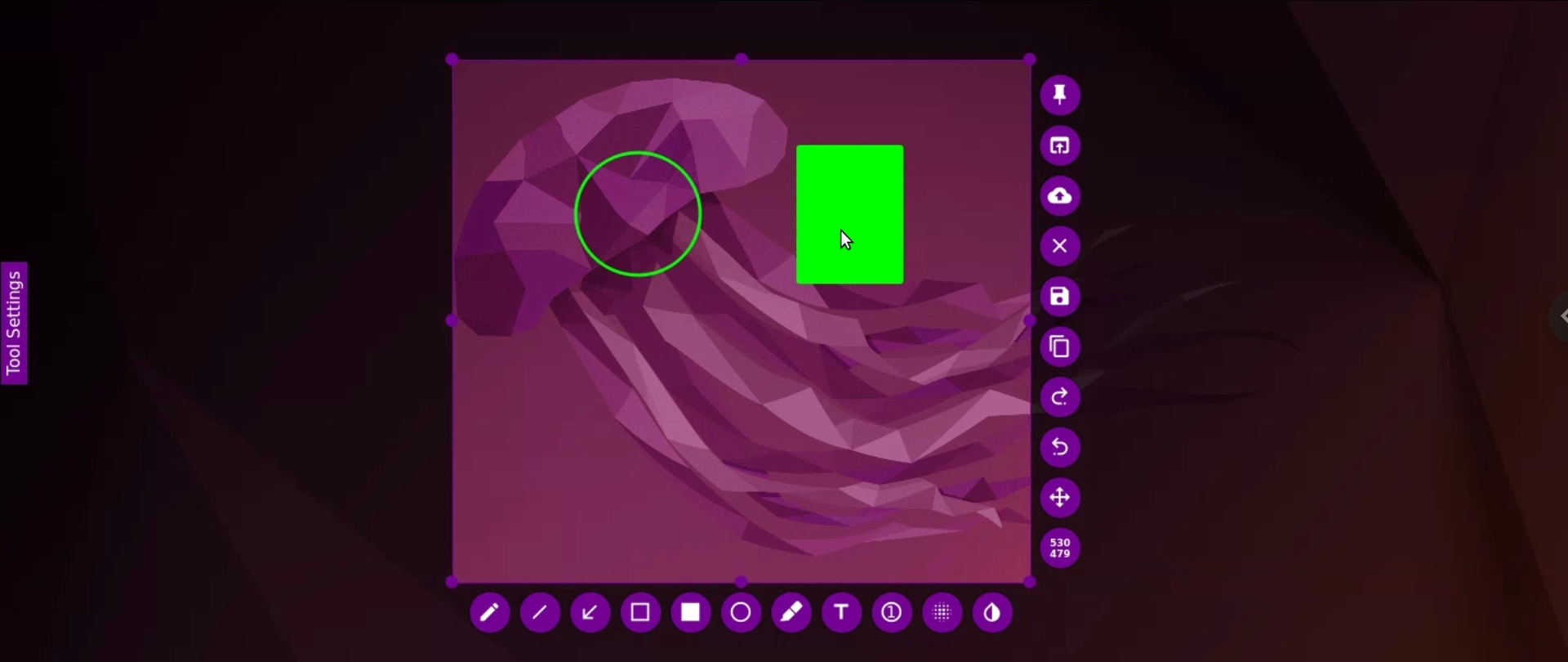  I want to click on paint tool, so click(995, 611).